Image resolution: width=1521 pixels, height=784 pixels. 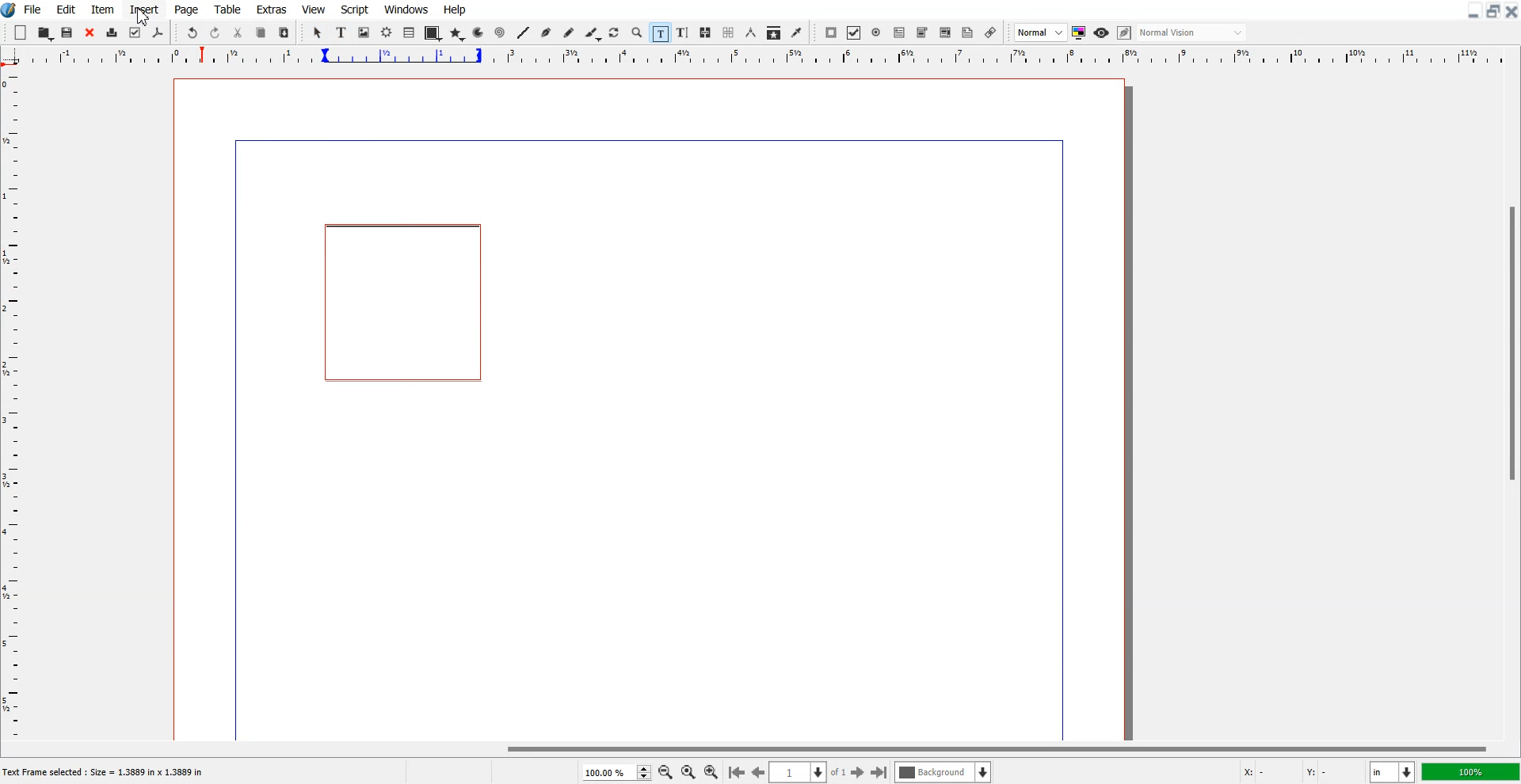 I want to click on margin, so click(x=232, y=443).